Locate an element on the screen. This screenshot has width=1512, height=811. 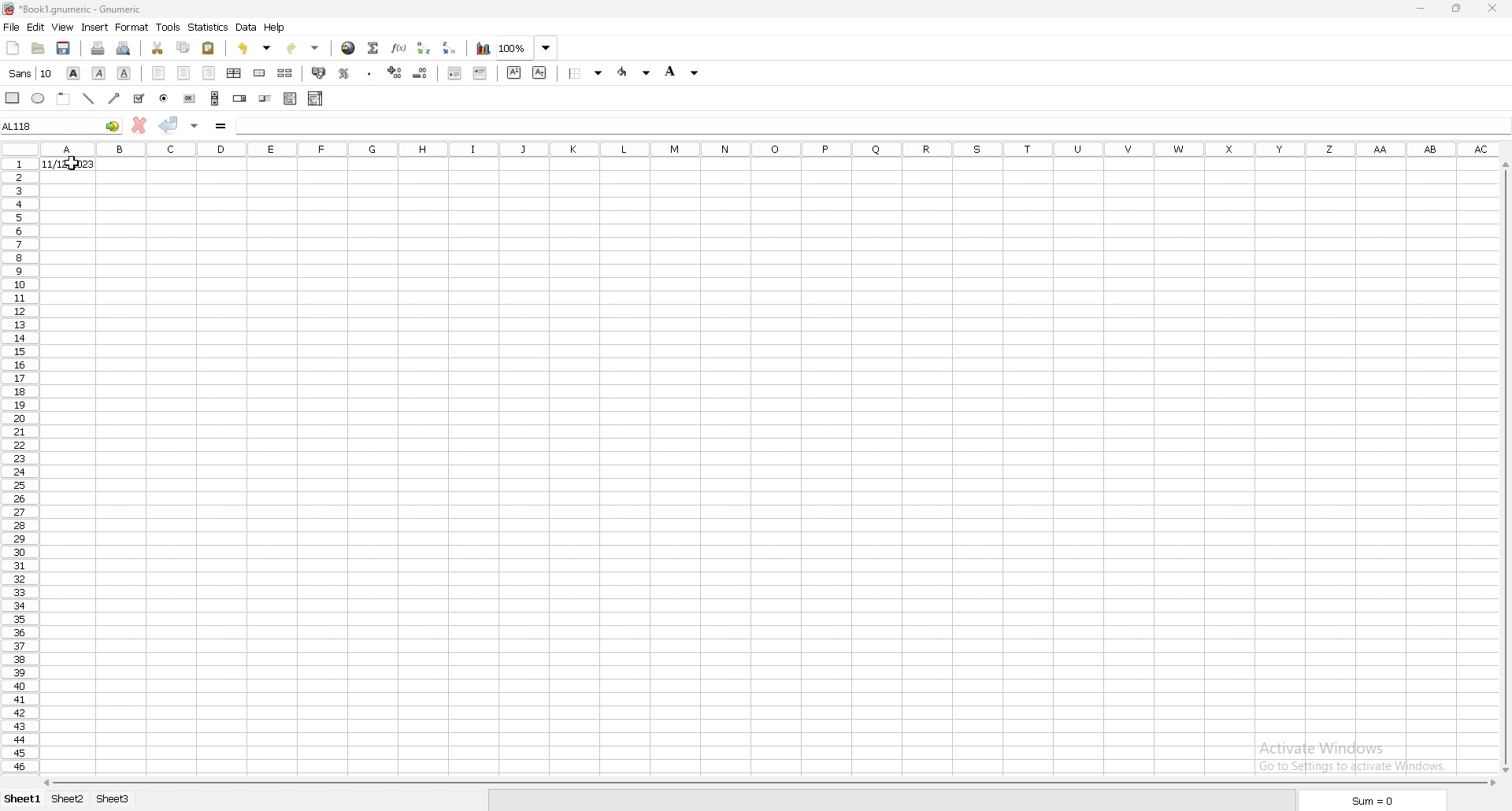
italic is located at coordinates (98, 73).